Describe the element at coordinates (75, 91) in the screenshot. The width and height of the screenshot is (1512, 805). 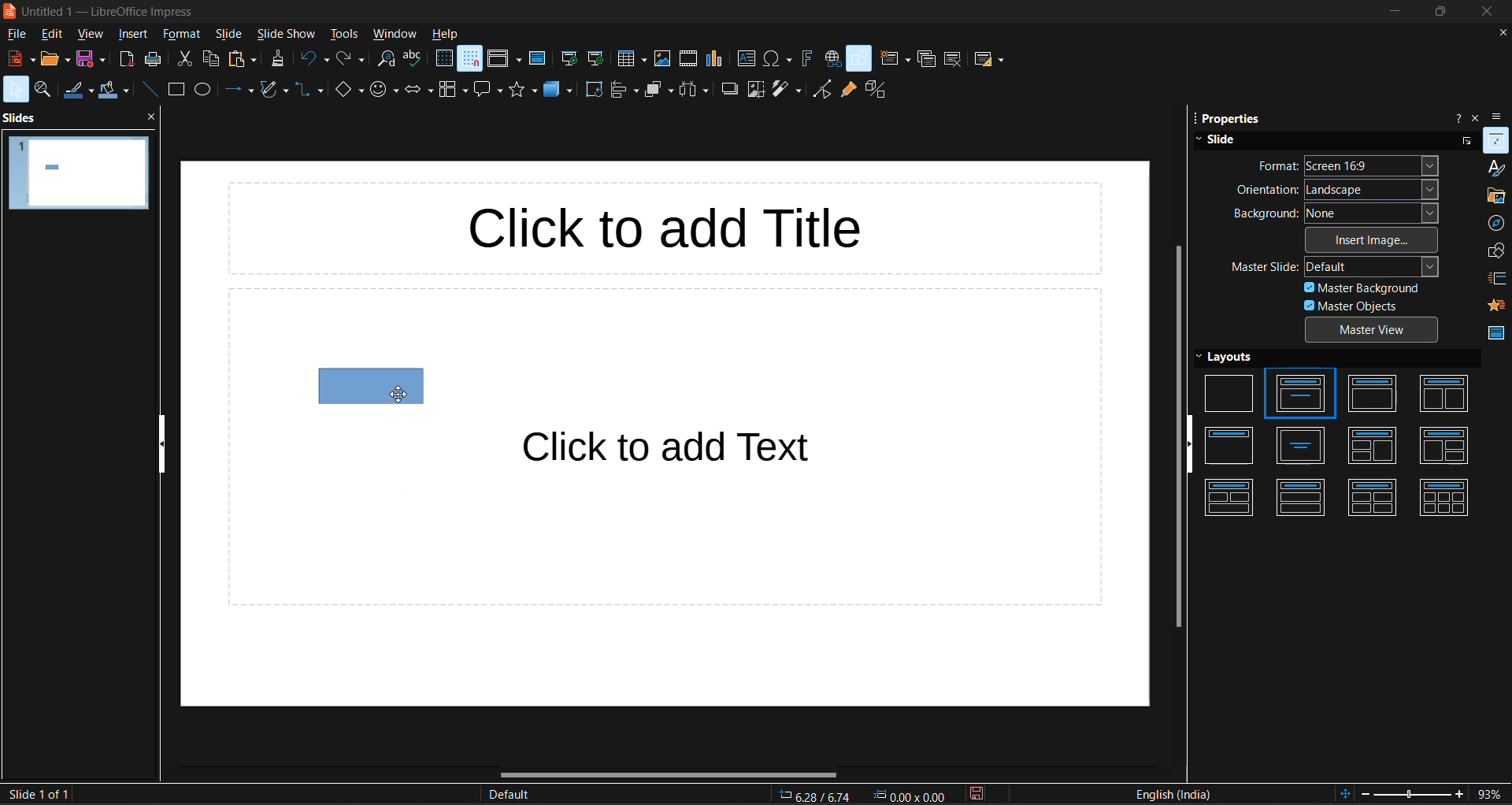
I see `line color` at that location.